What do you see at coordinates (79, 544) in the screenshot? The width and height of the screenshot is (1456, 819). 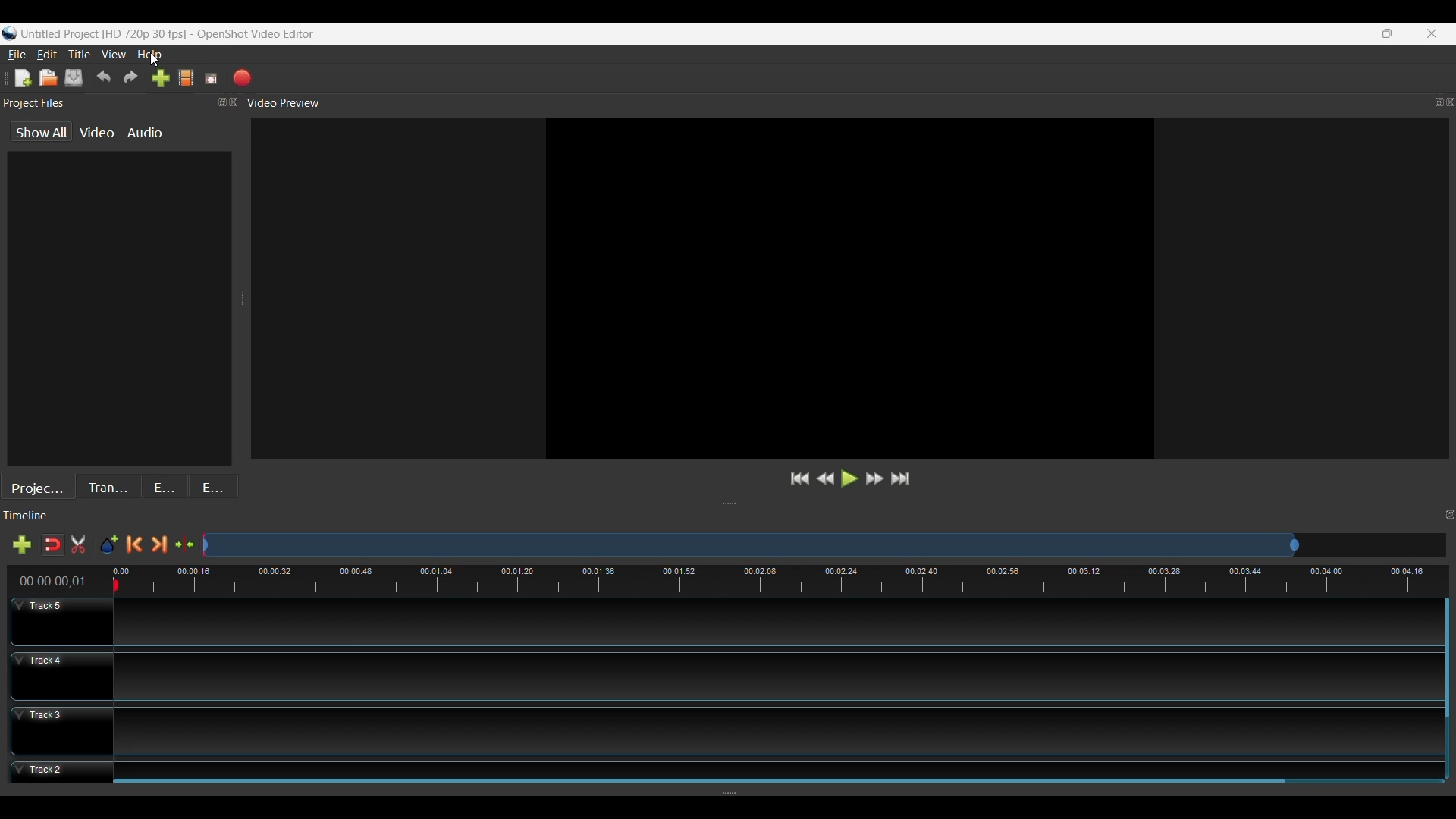 I see `Razor` at bounding box center [79, 544].